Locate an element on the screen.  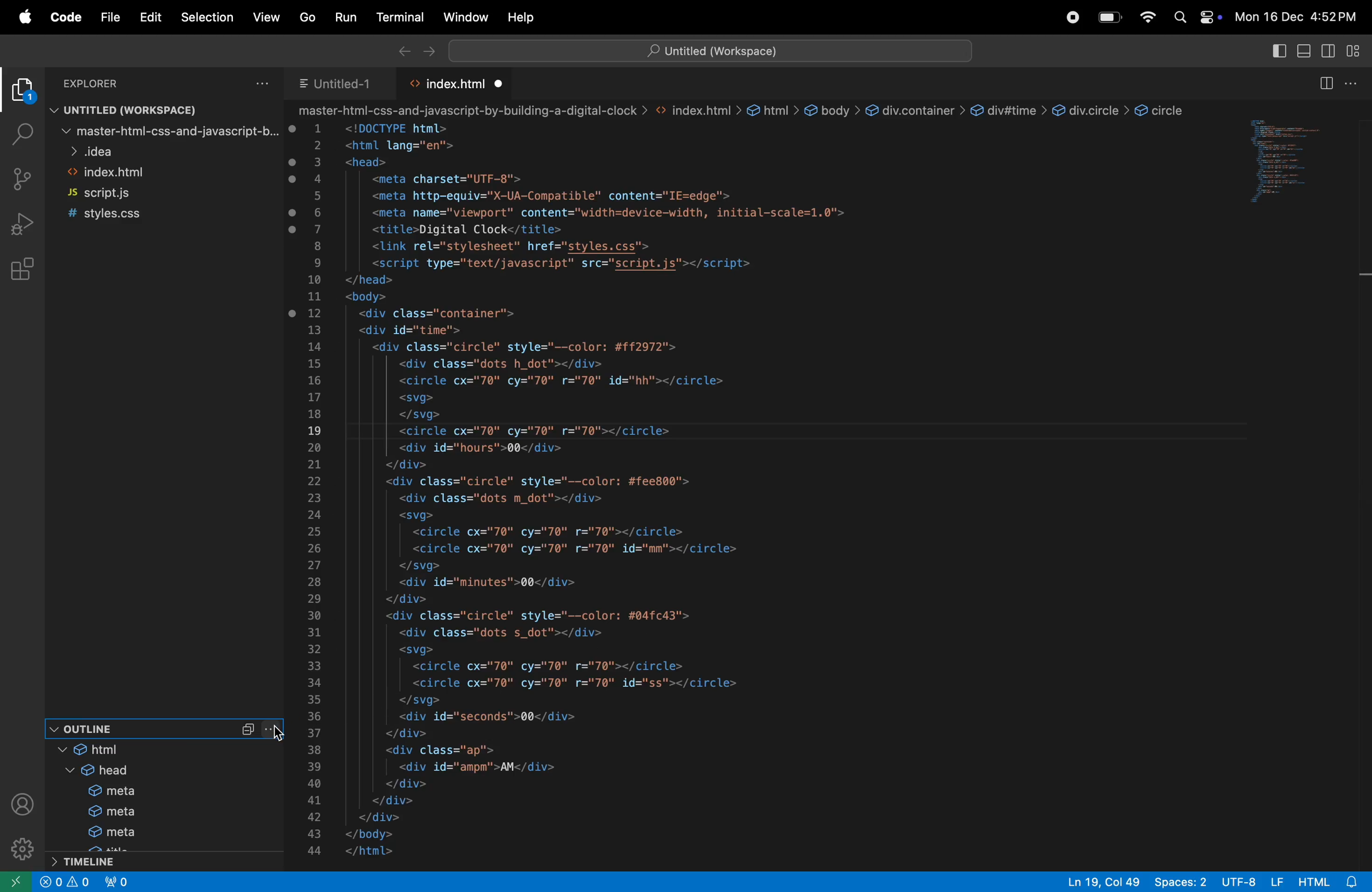
source control is located at coordinates (24, 179).